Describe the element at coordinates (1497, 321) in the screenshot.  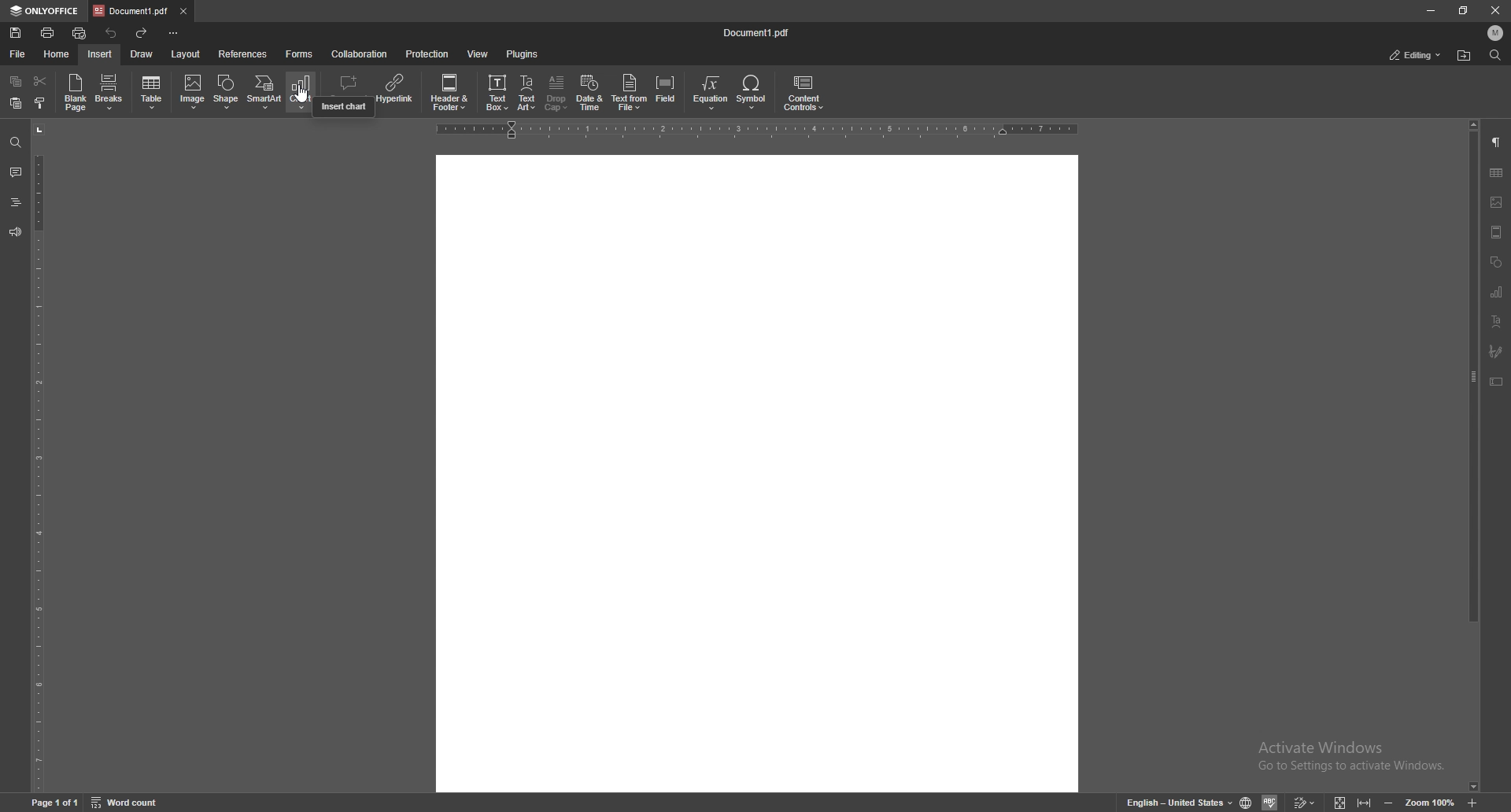
I see `text art` at that location.